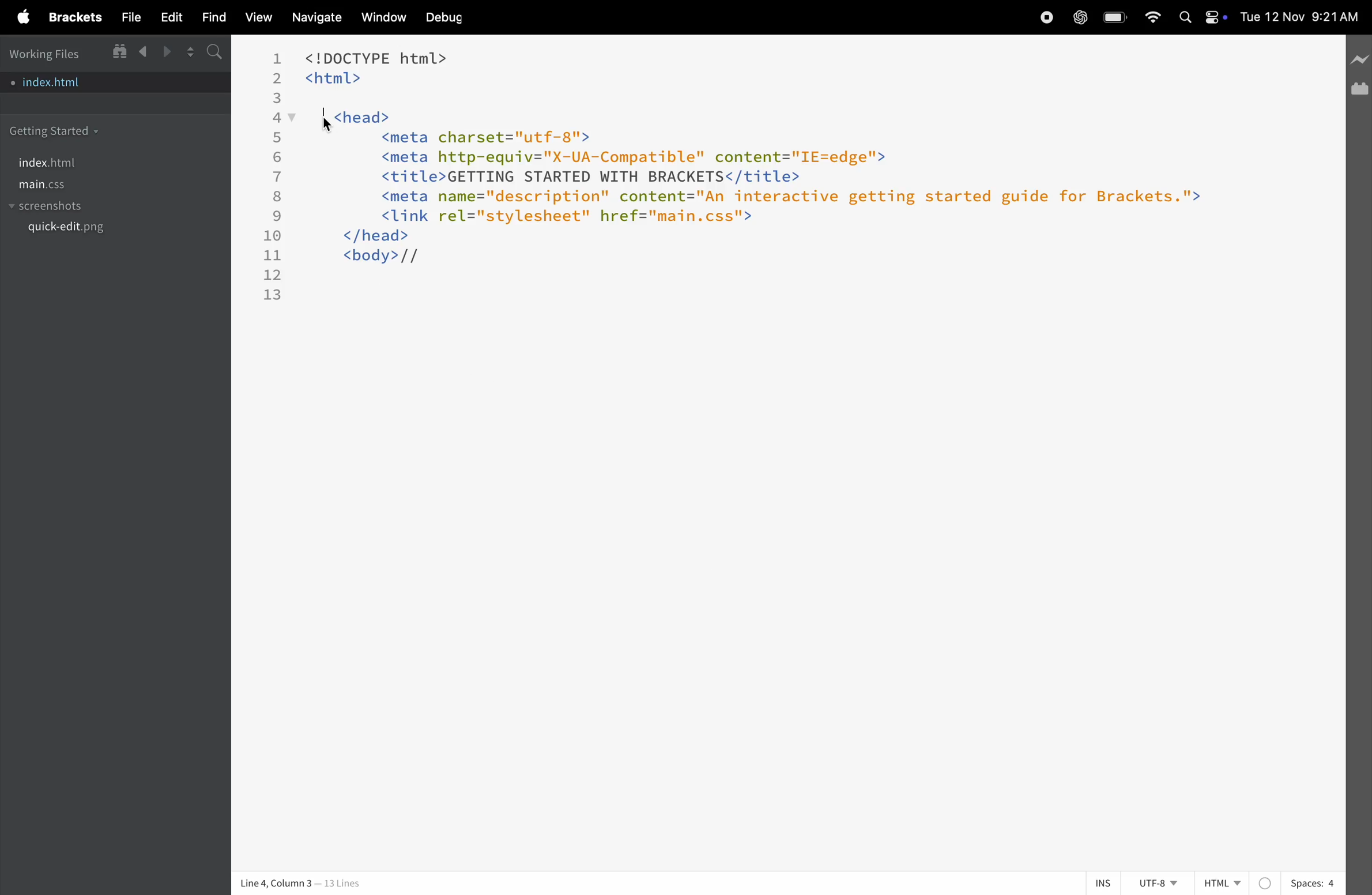  I want to click on view, so click(255, 18).